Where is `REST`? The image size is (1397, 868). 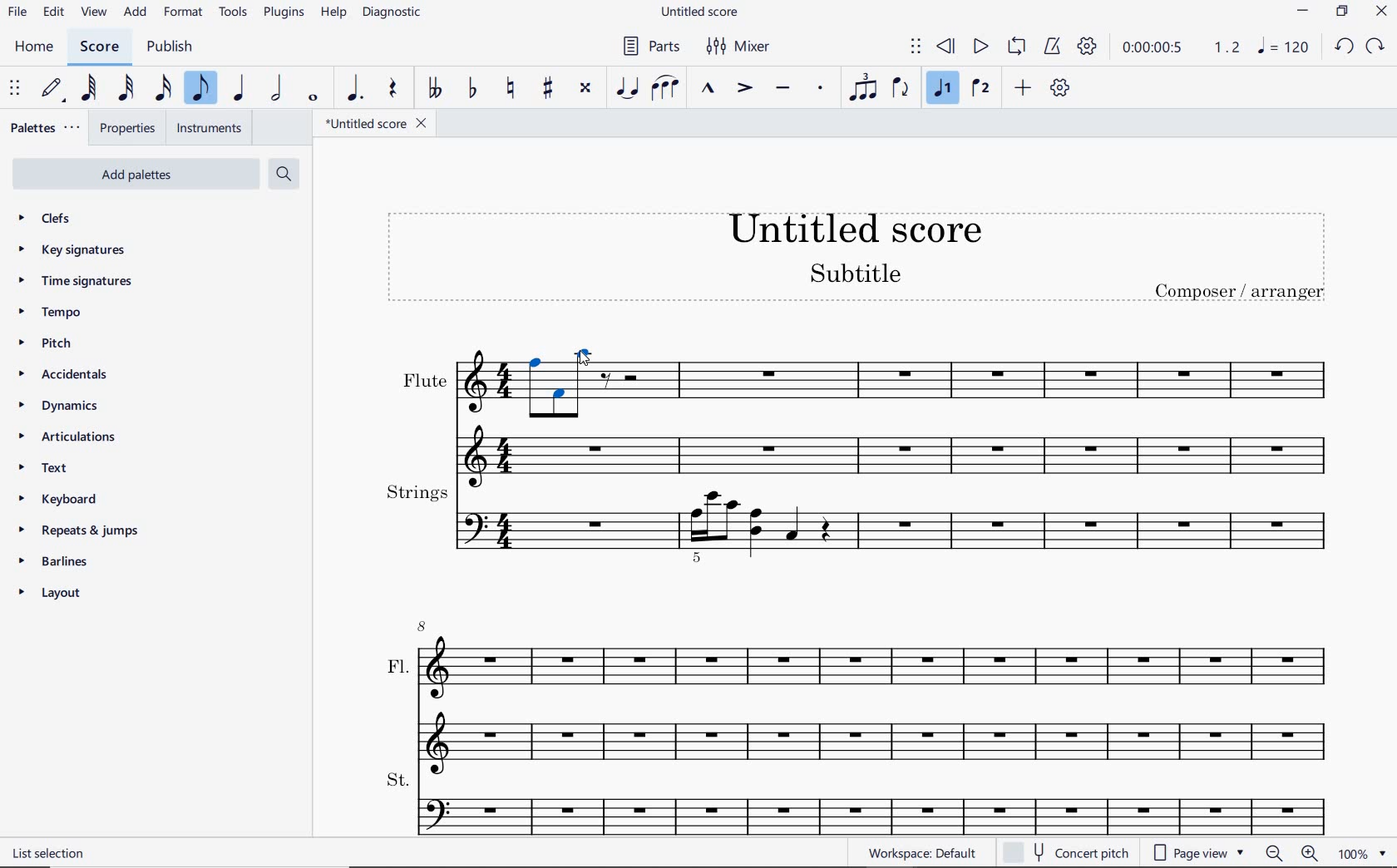
REST is located at coordinates (393, 90).